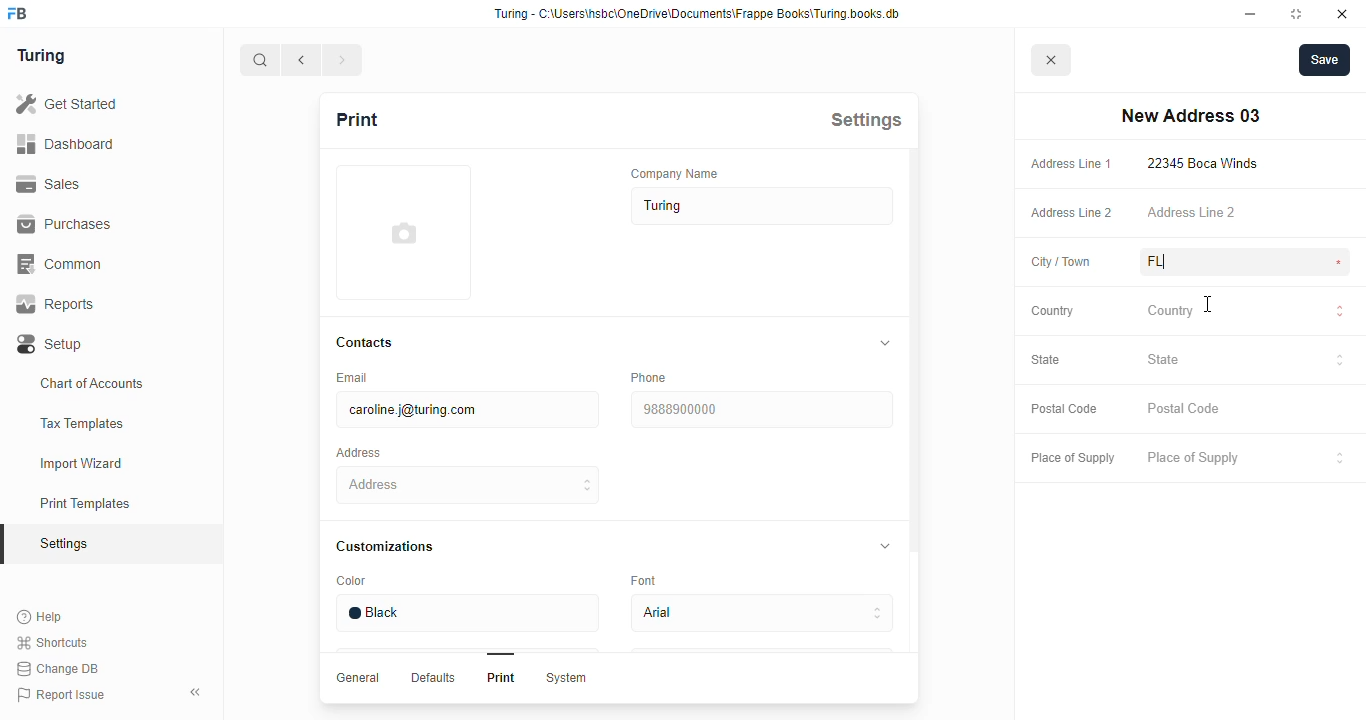  What do you see at coordinates (64, 224) in the screenshot?
I see `purchases` at bounding box center [64, 224].